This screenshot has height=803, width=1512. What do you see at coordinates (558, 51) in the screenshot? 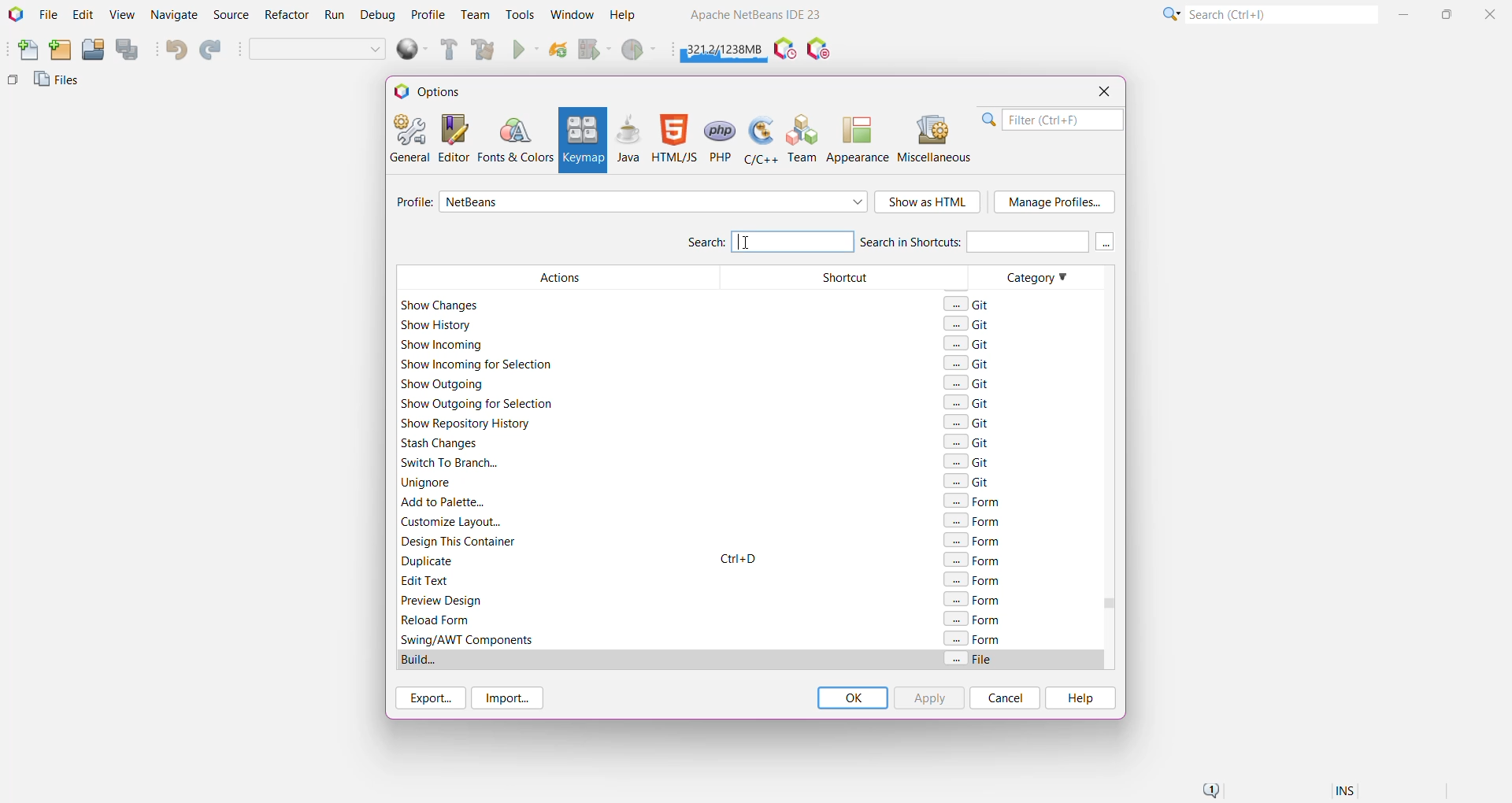
I see `Reload` at bounding box center [558, 51].